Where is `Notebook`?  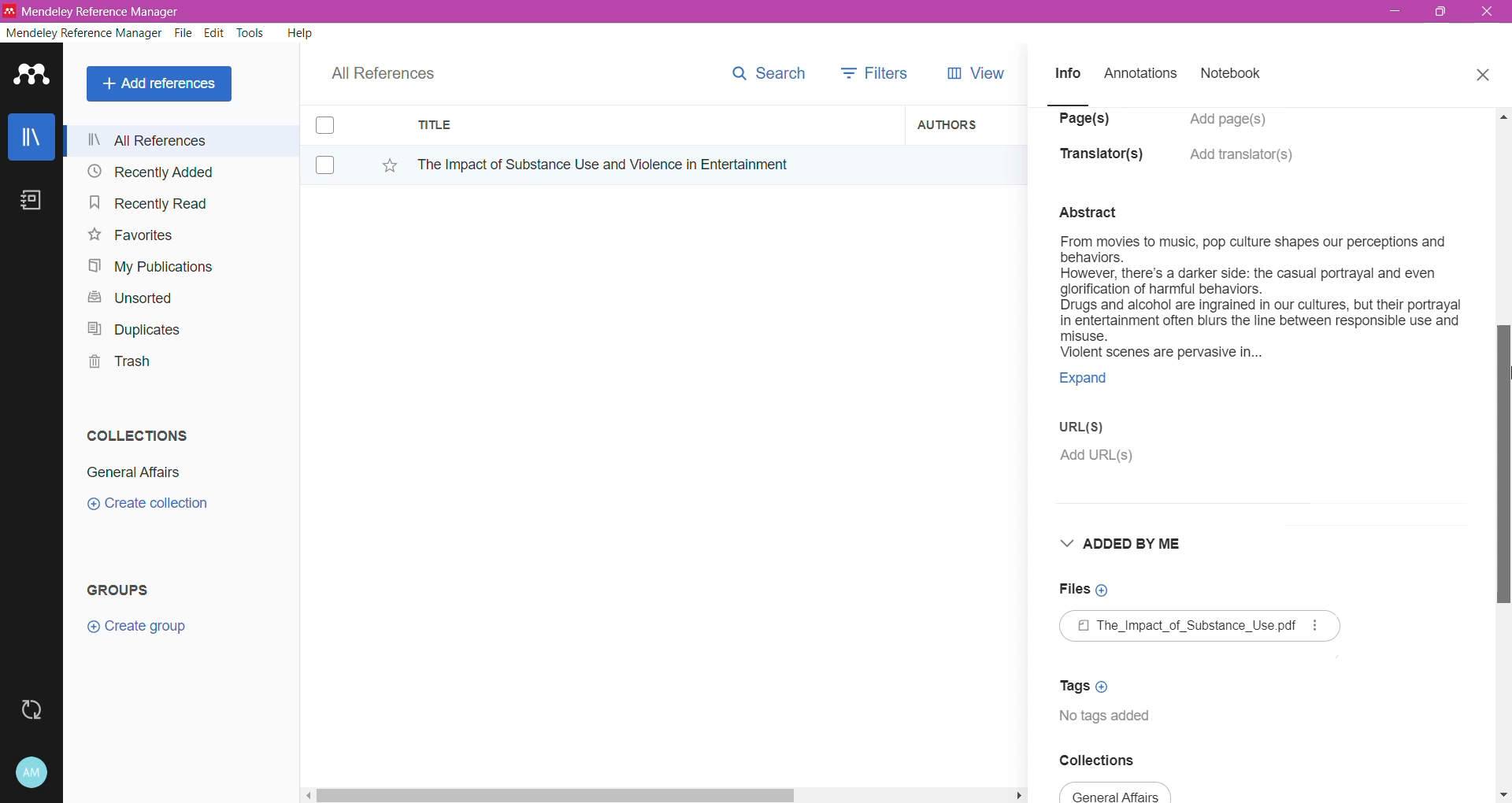
Notebook is located at coordinates (1236, 75).